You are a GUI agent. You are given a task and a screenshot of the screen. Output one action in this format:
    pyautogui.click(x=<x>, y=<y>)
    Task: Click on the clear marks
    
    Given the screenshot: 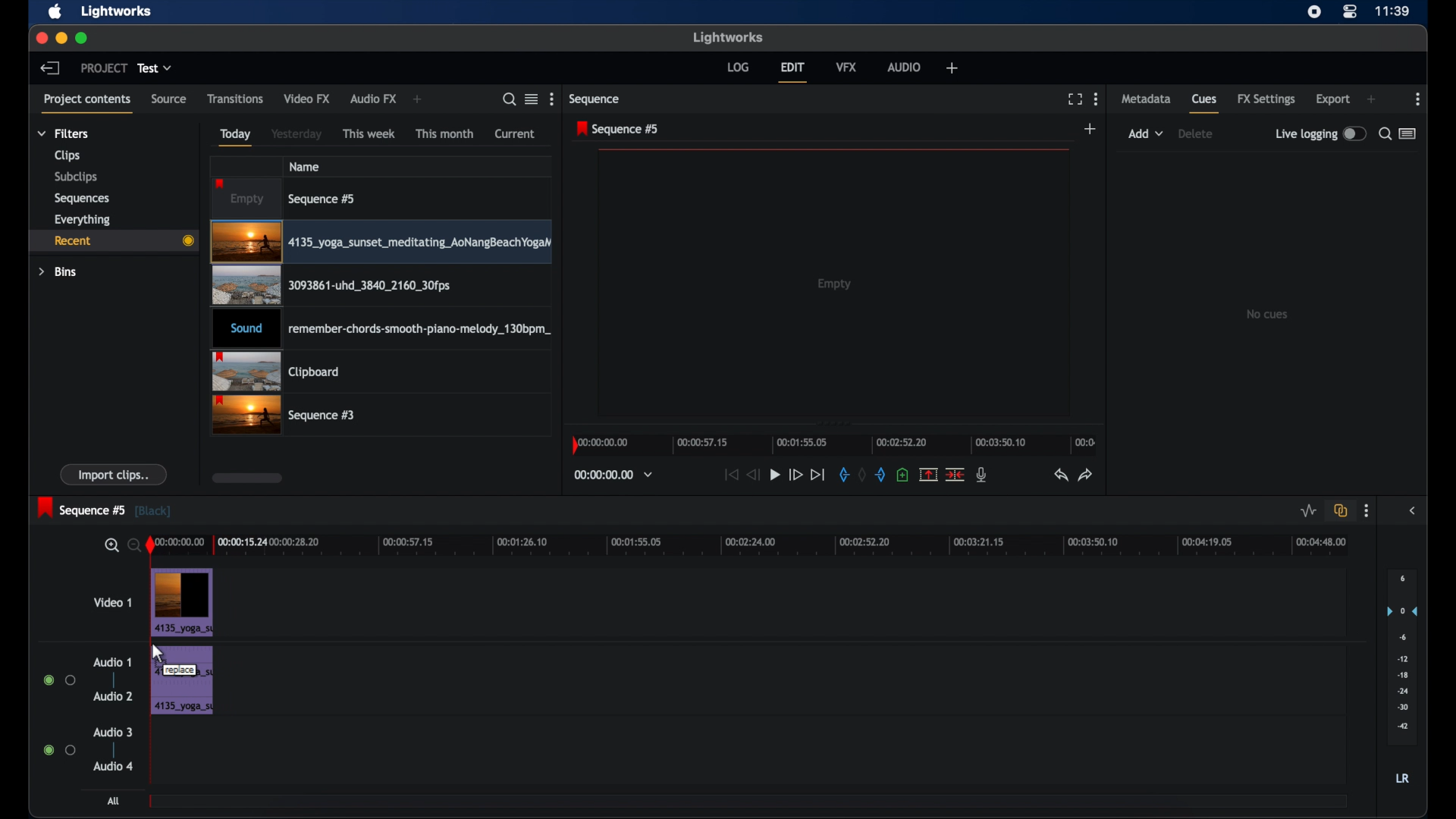 What is the action you would take?
    pyautogui.click(x=861, y=474)
    